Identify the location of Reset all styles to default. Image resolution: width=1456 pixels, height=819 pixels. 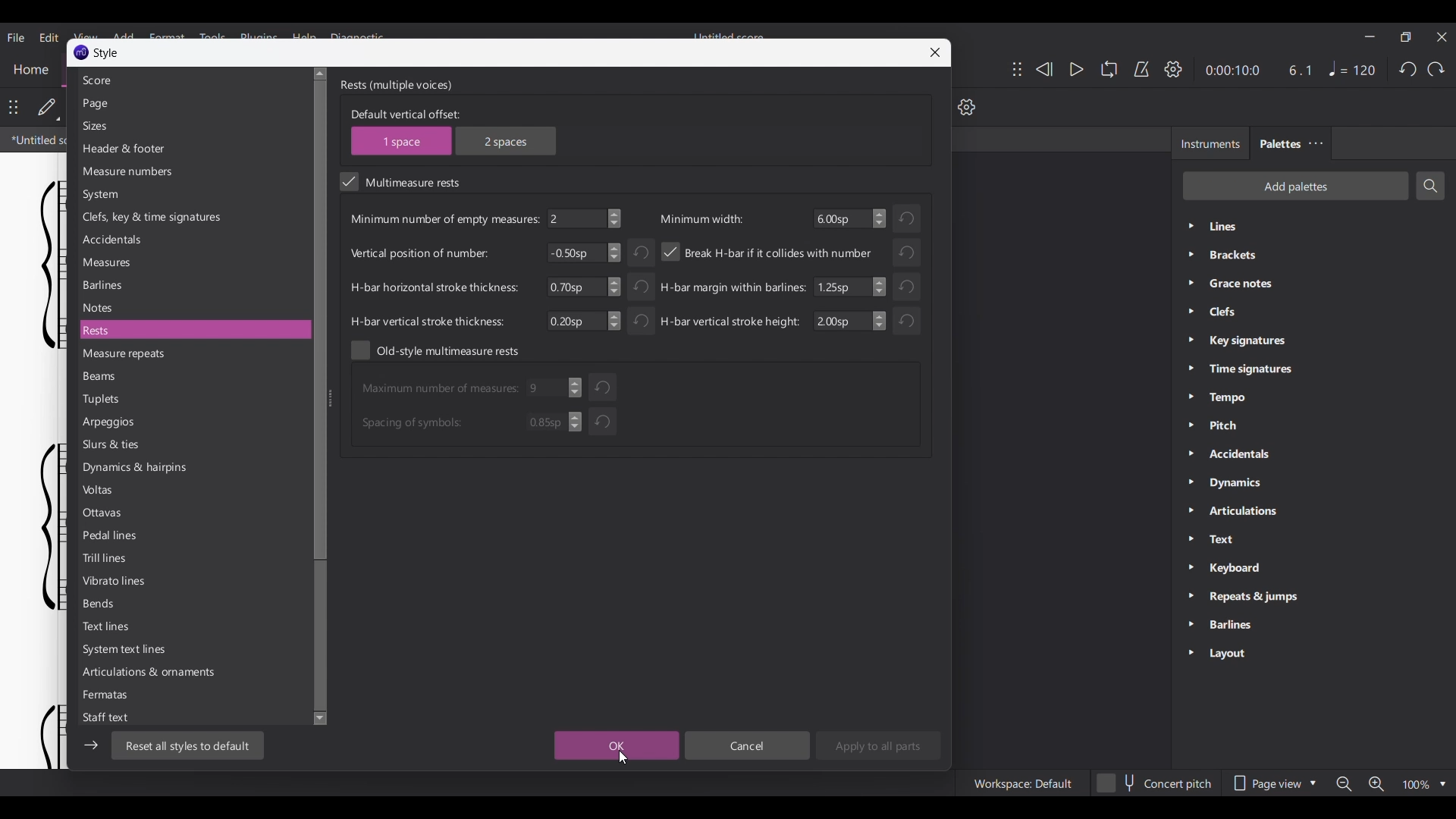
(188, 746).